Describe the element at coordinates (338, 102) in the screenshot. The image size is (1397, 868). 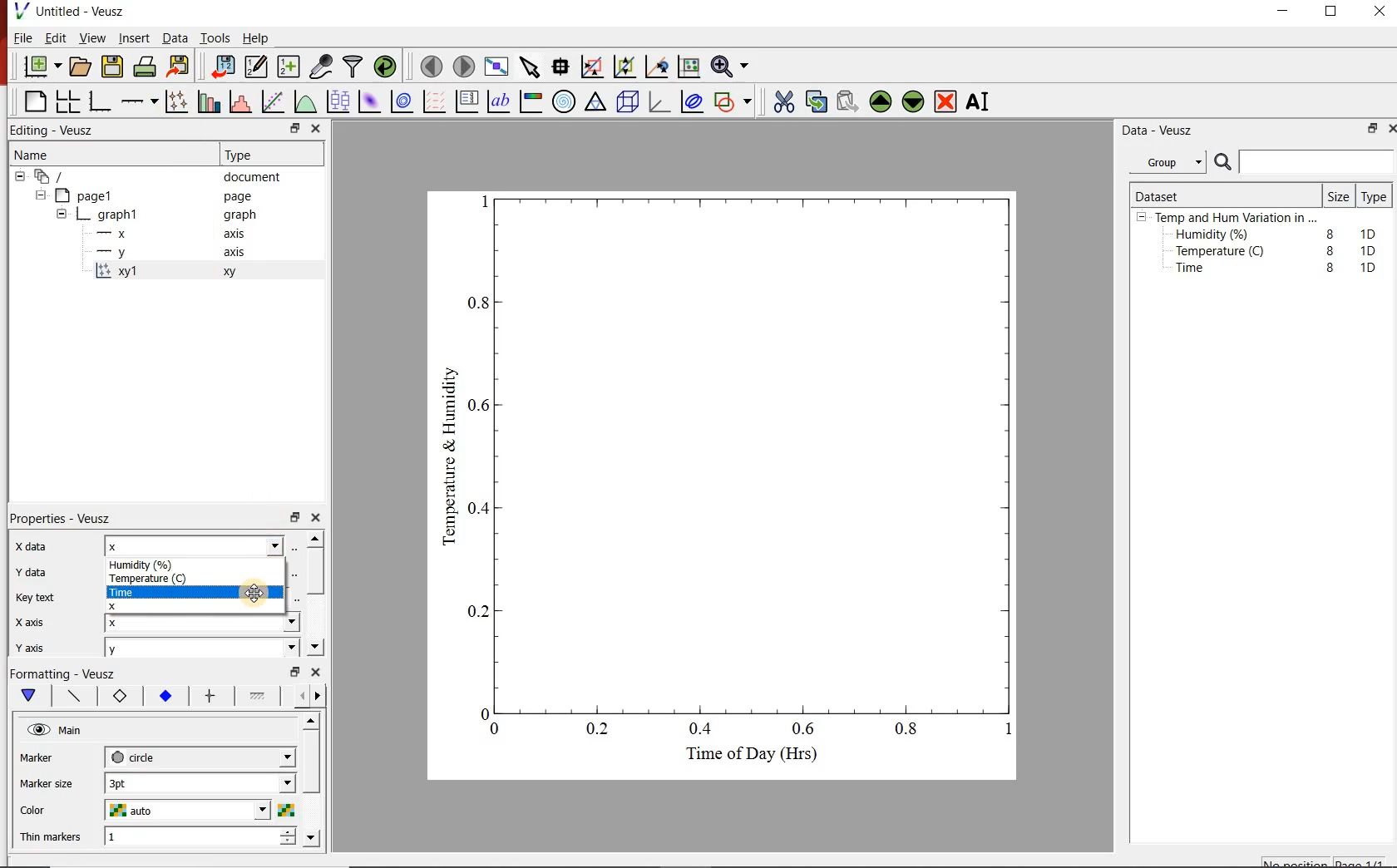
I see `plot box plots` at that location.